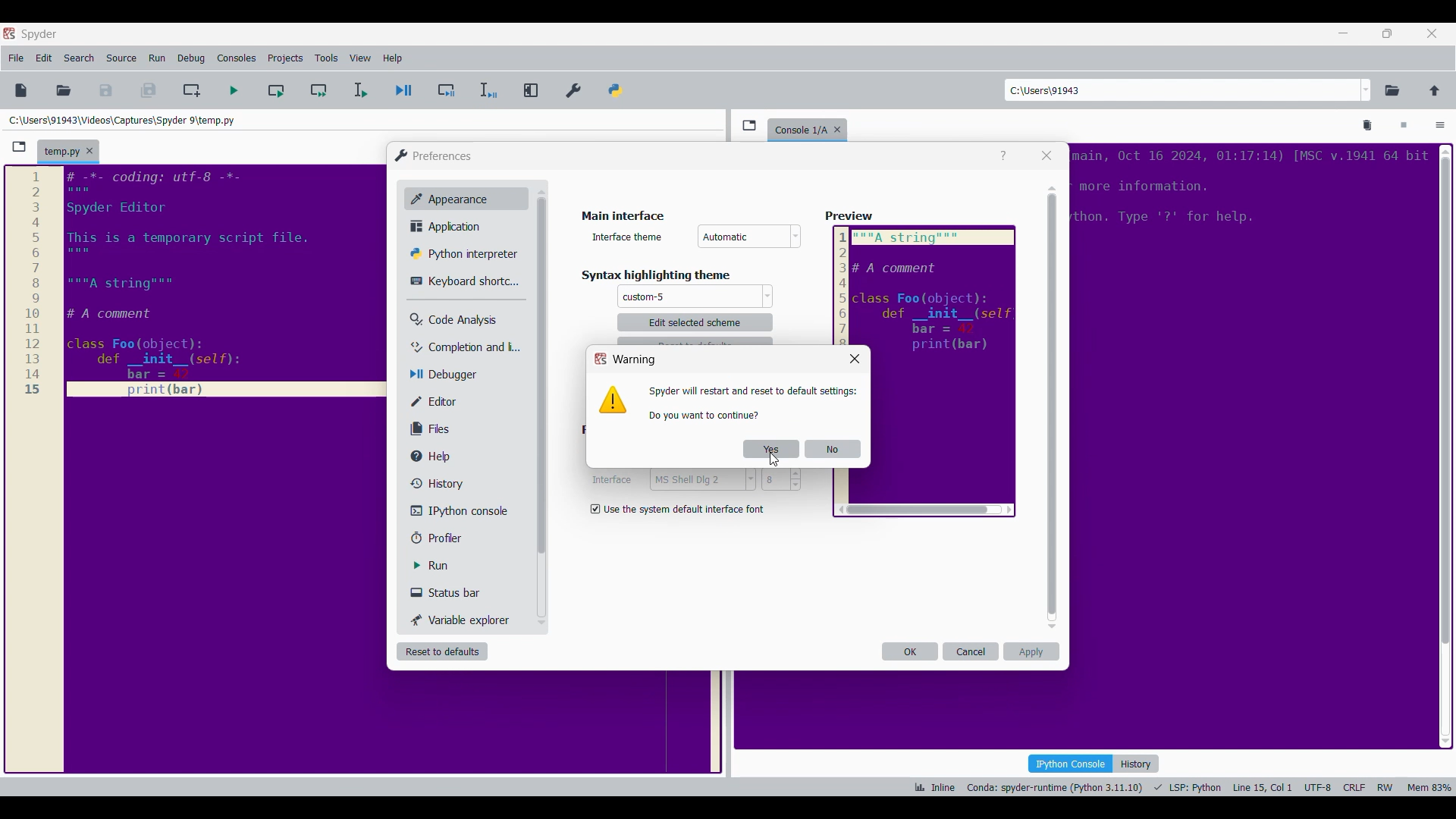  I want to click on MS Shell Dig 2 , so click(704, 479).